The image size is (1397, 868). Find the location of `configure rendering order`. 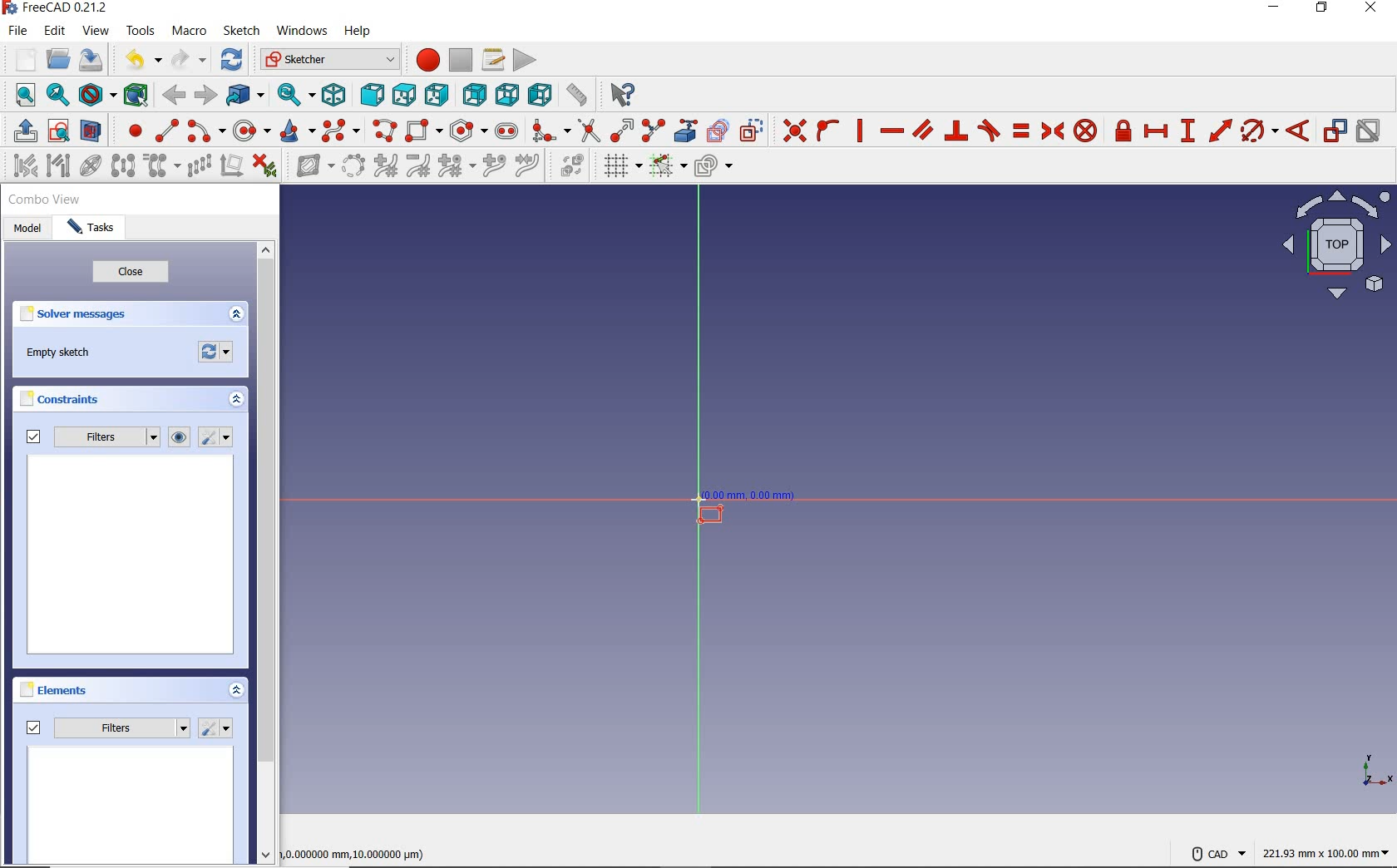

configure rendering order is located at coordinates (713, 165).